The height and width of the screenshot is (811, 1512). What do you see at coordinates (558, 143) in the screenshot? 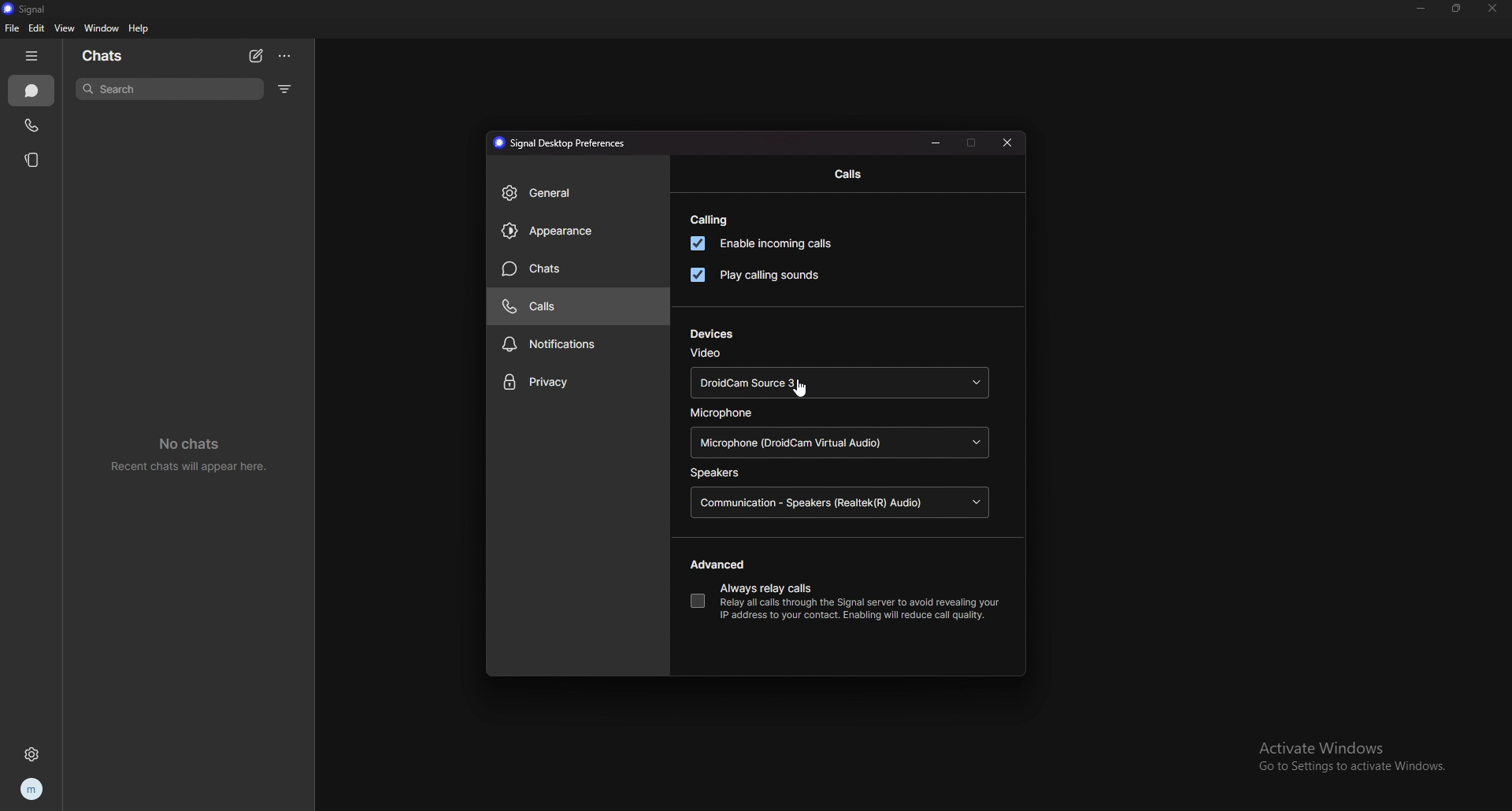
I see `preferences` at bounding box center [558, 143].